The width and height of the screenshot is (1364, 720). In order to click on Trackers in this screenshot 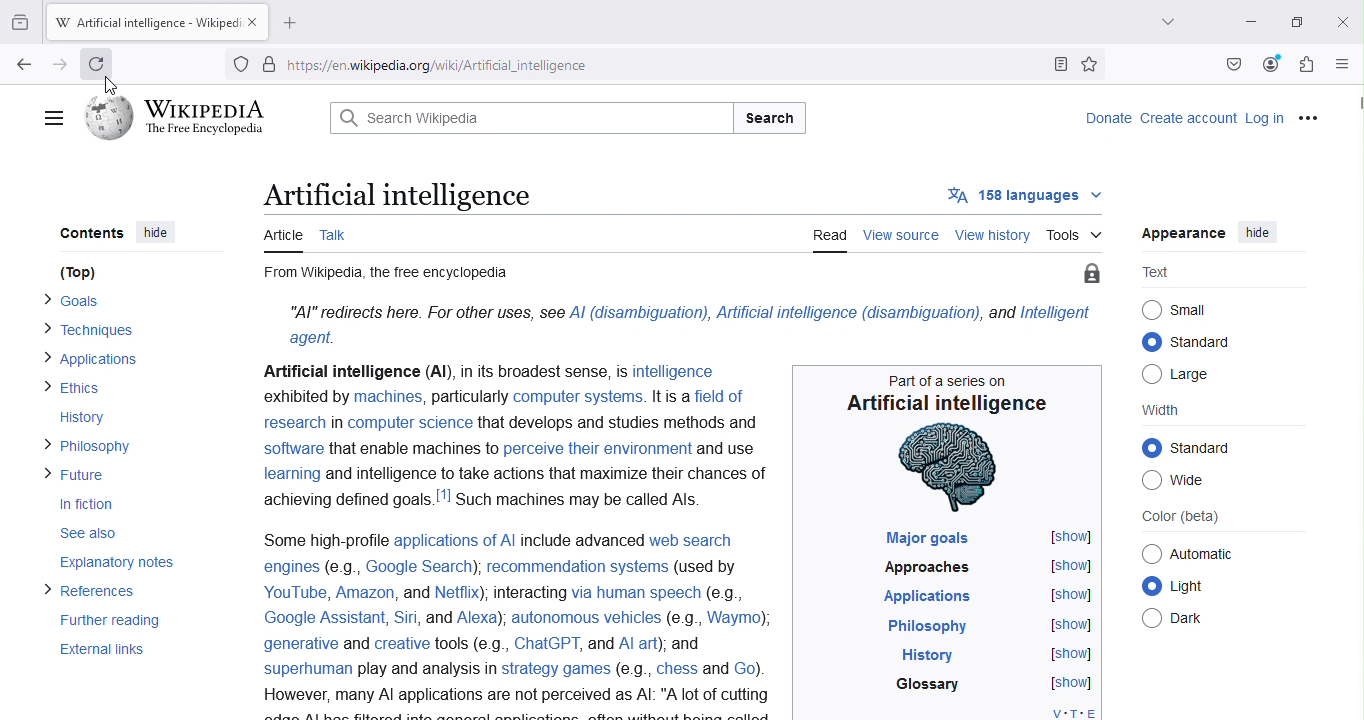, I will do `click(240, 66)`.